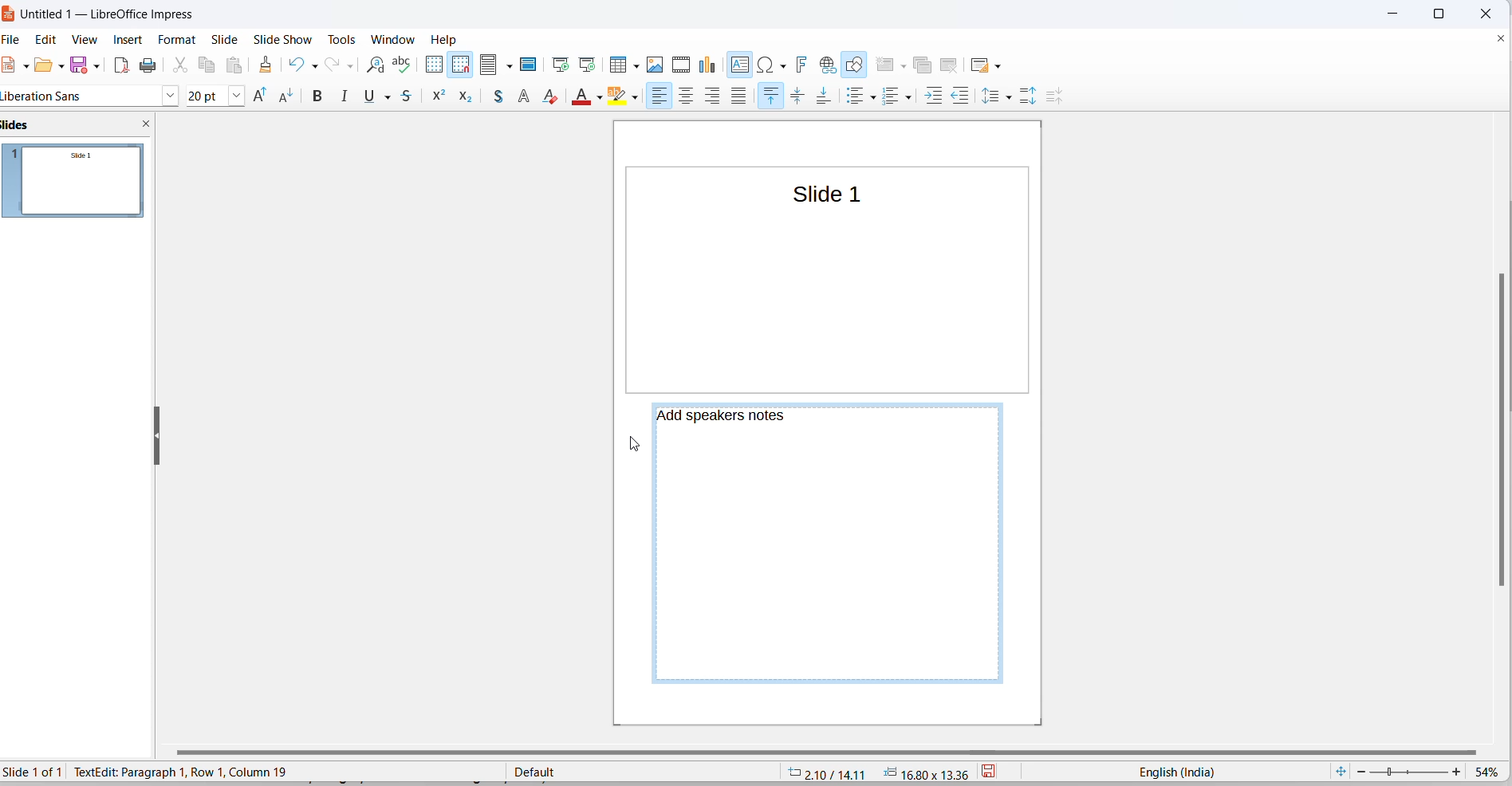 The width and height of the screenshot is (1512, 786). I want to click on insert audio and video, so click(682, 64).